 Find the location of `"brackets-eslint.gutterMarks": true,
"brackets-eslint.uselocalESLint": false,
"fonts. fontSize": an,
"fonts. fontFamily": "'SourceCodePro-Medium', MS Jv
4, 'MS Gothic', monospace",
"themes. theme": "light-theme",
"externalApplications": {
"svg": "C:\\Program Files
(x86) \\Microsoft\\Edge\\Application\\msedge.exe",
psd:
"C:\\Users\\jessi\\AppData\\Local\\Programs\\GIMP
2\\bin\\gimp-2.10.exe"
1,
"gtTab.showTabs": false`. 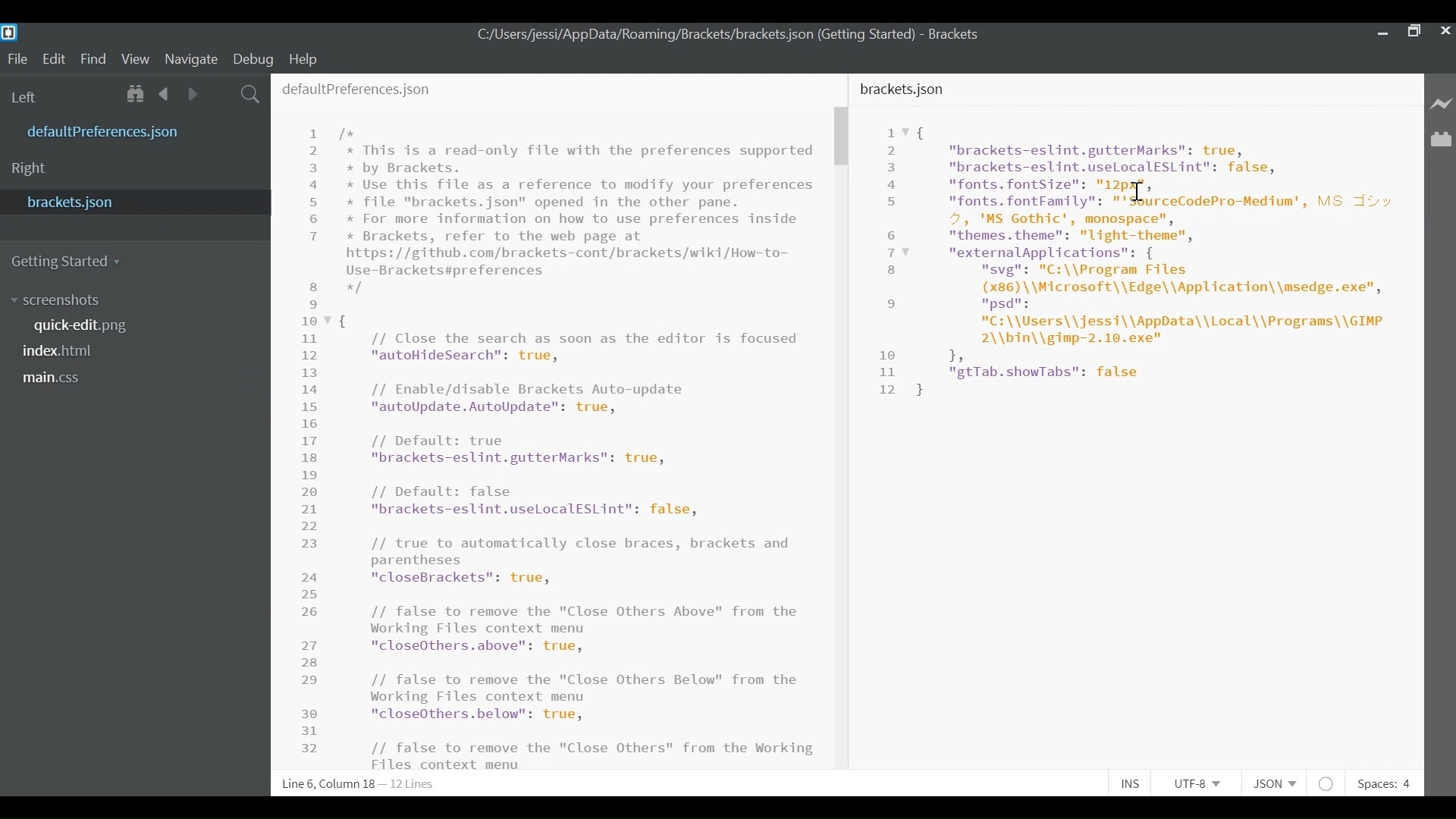

"brackets-eslint.gutterMarks": true,
"brackets-eslint.uselocalESLint": false,
"fonts. fontSize": an,
"fonts. fontFamily": "'SourceCodePro-Medium', MS Jv
4, 'MS Gothic', monospace",
"themes. theme": "light-theme",
"externalApplications": {
"svg": "C:\\Program Files
(x86) \\Microsoft\\Edge\\Application\\msedge.exe",
psd:
"C:\\Users\\jessi\\AppData\\Local\\Programs\\GIMP
2\\bin\\gimp-2.10.exe"
1,
"gtTab.showTabs": false is located at coordinates (1156, 259).